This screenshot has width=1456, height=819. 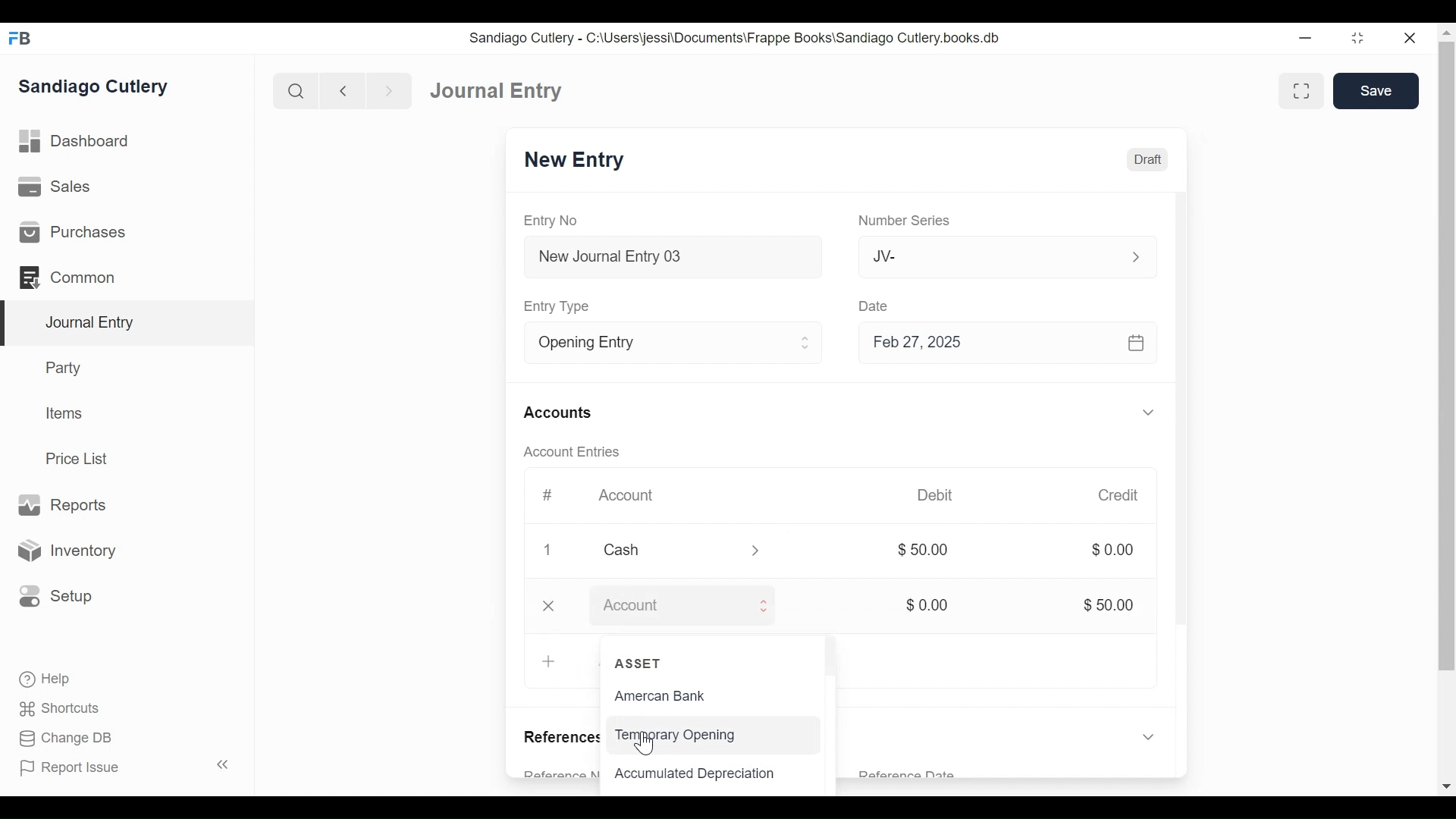 What do you see at coordinates (579, 161) in the screenshot?
I see `New Entry` at bounding box center [579, 161].